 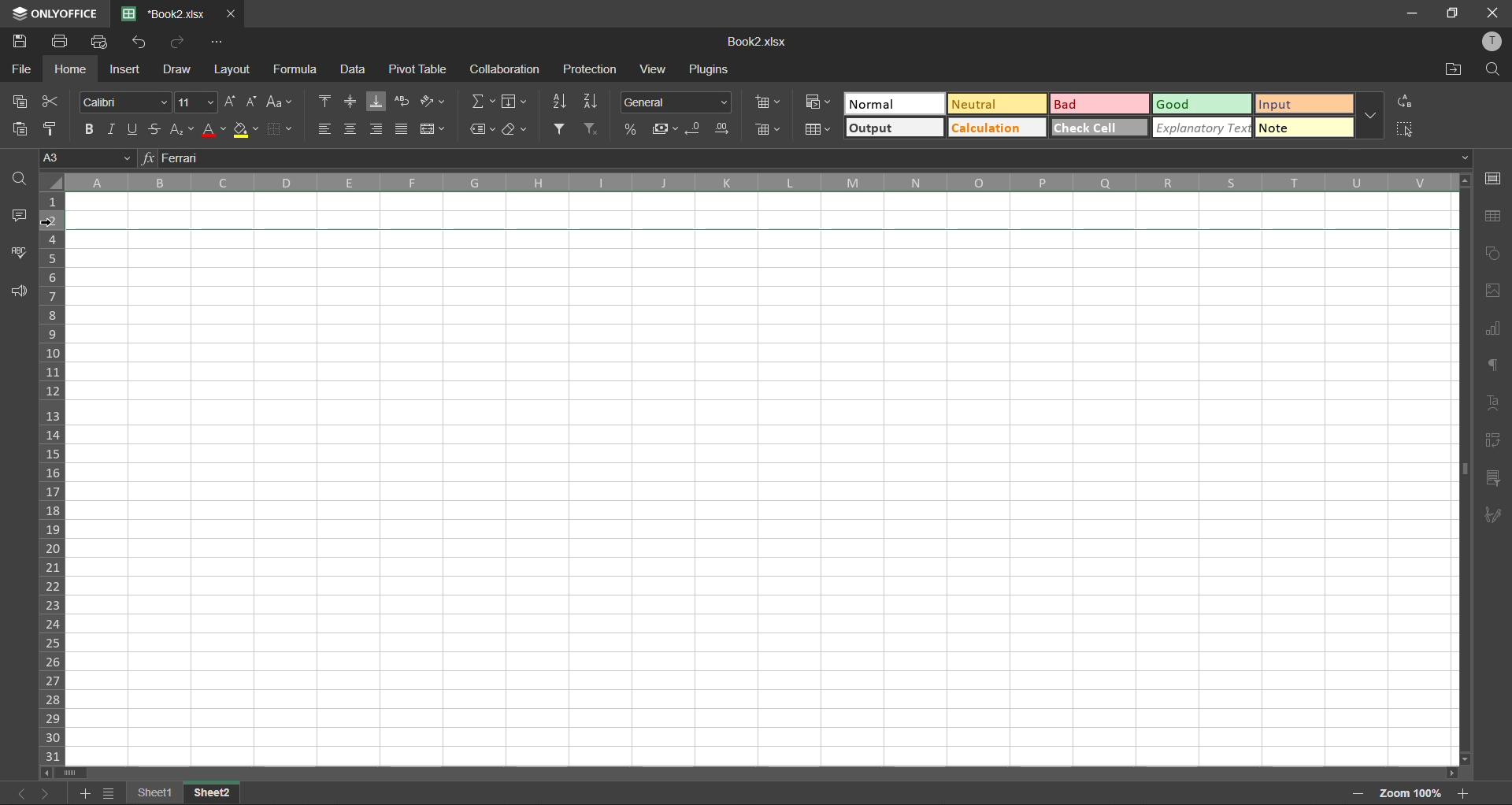 What do you see at coordinates (769, 101) in the screenshot?
I see `insert cells` at bounding box center [769, 101].